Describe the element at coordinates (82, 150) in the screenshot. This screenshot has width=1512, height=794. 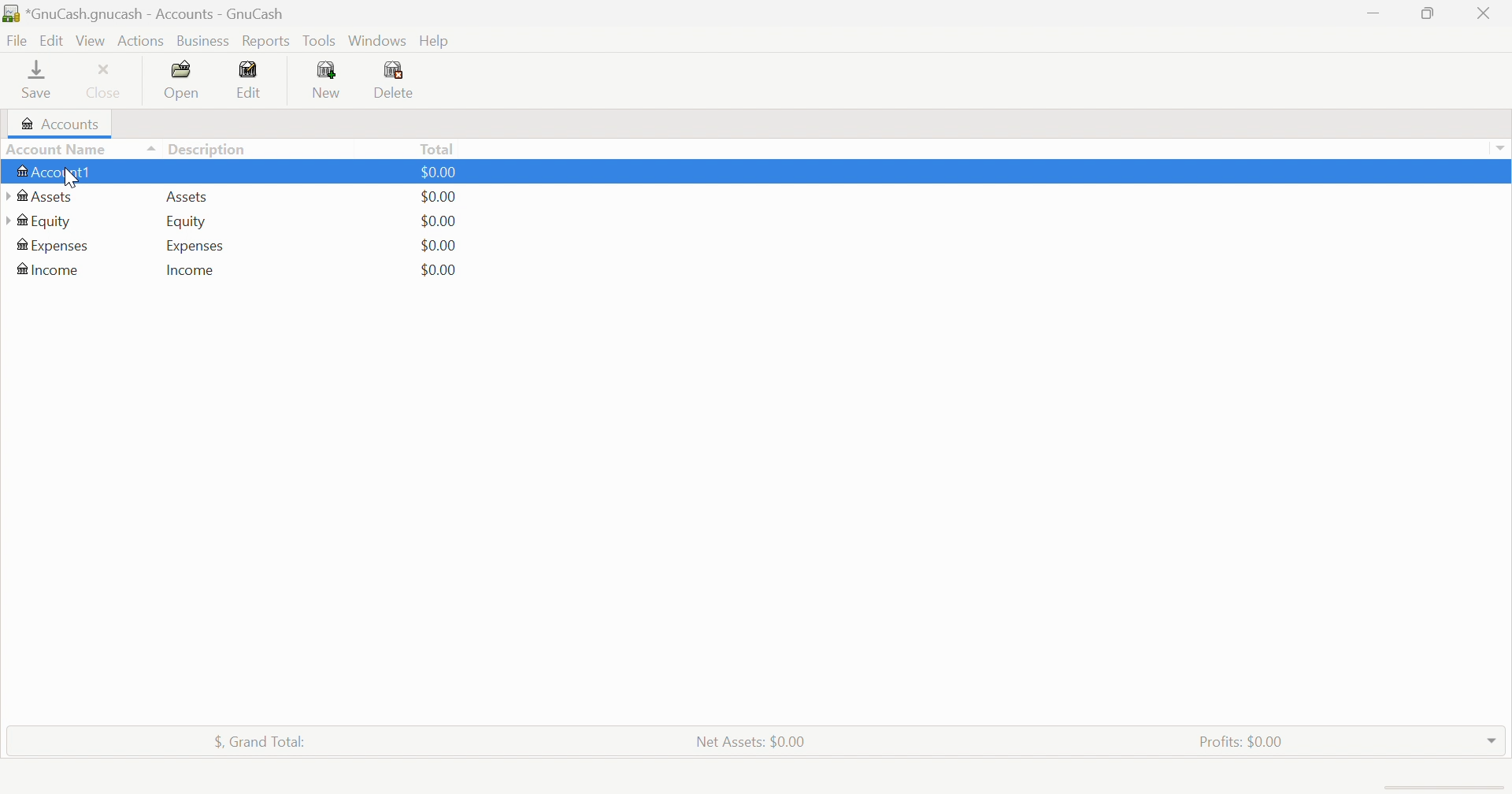
I see `Account Name` at that location.